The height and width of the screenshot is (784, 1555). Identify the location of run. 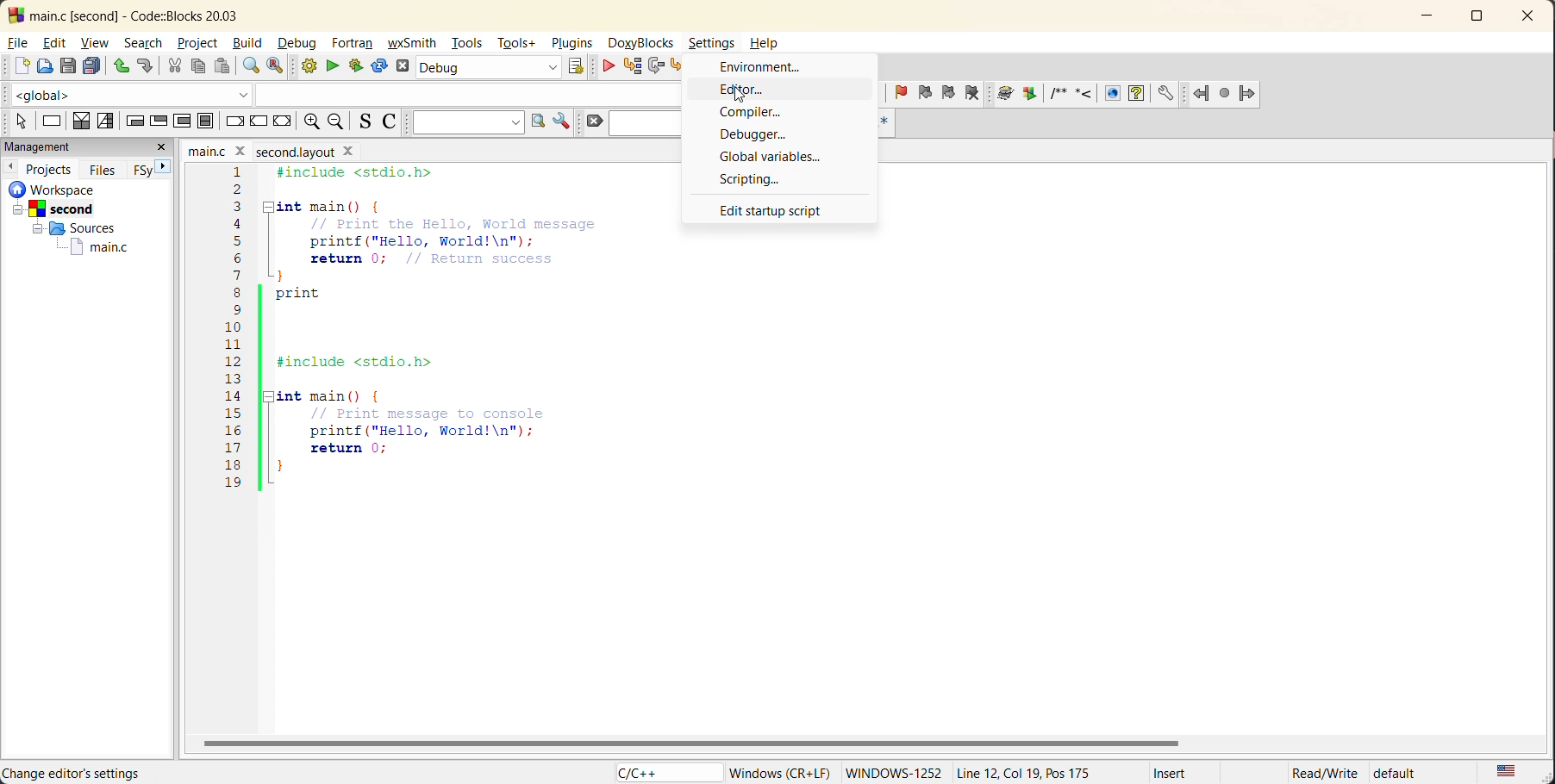
(330, 66).